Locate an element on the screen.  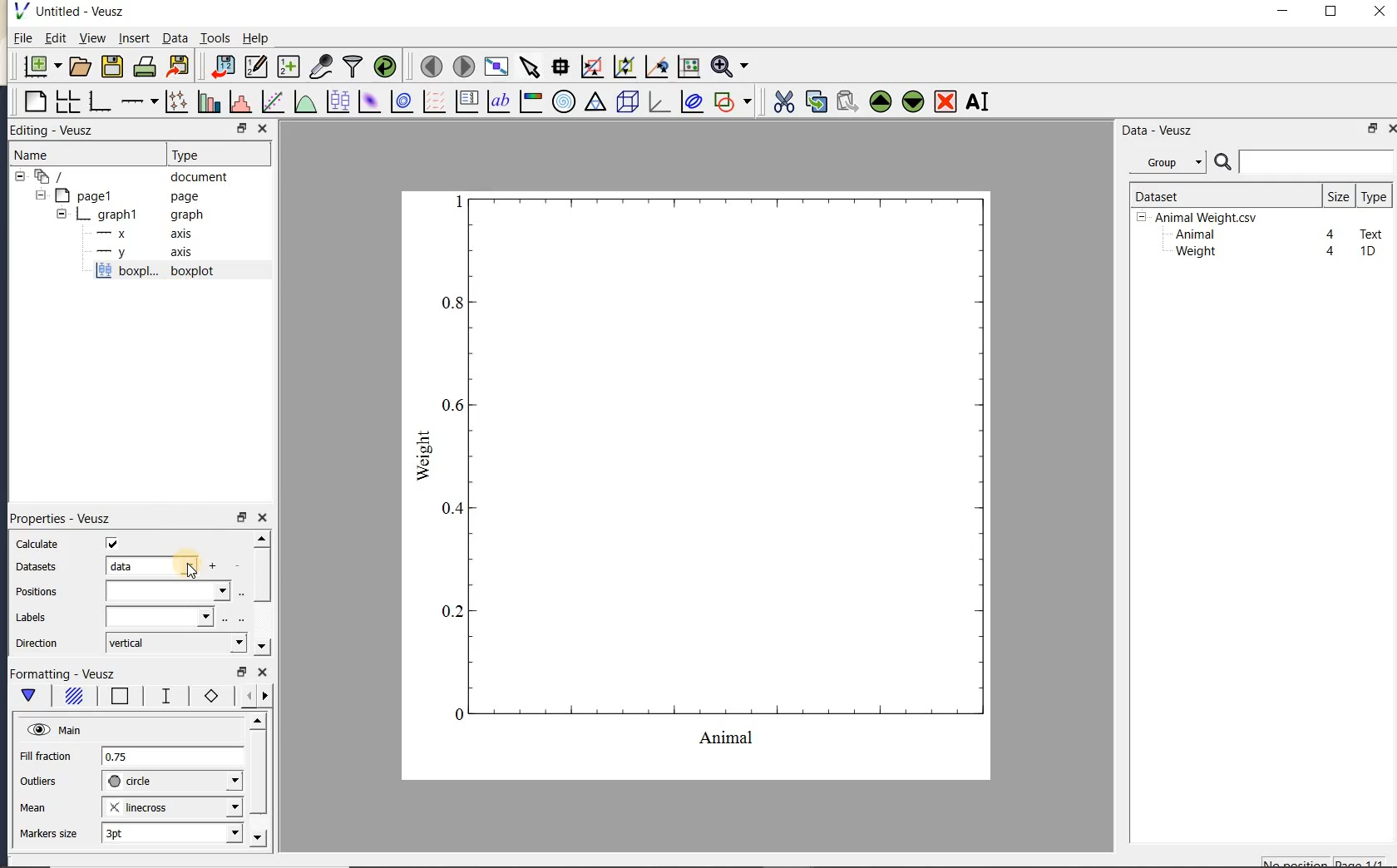
text label is located at coordinates (498, 103).